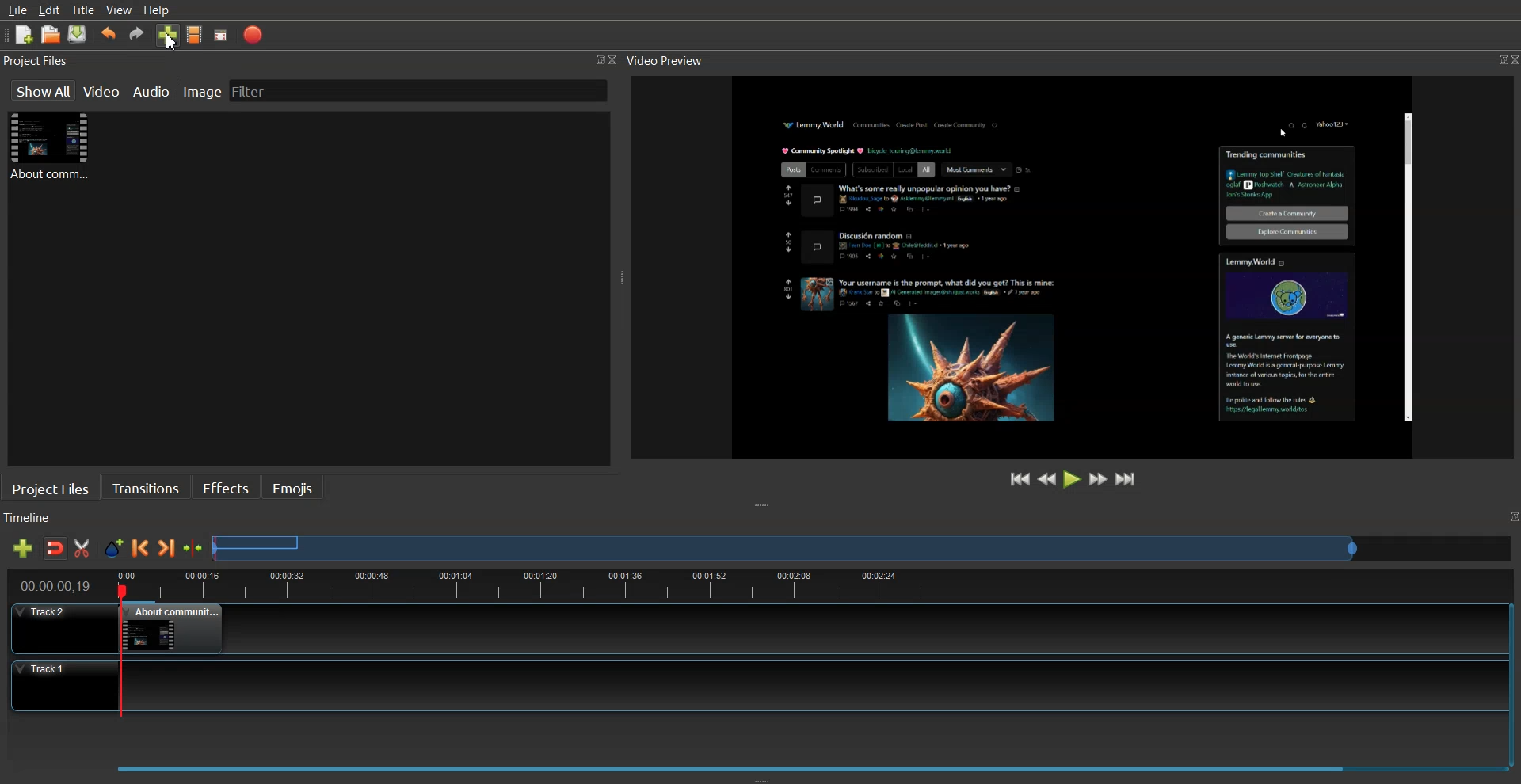 The width and height of the screenshot is (1521, 784). What do you see at coordinates (1021, 479) in the screenshot?
I see `Jump to Start` at bounding box center [1021, 479].